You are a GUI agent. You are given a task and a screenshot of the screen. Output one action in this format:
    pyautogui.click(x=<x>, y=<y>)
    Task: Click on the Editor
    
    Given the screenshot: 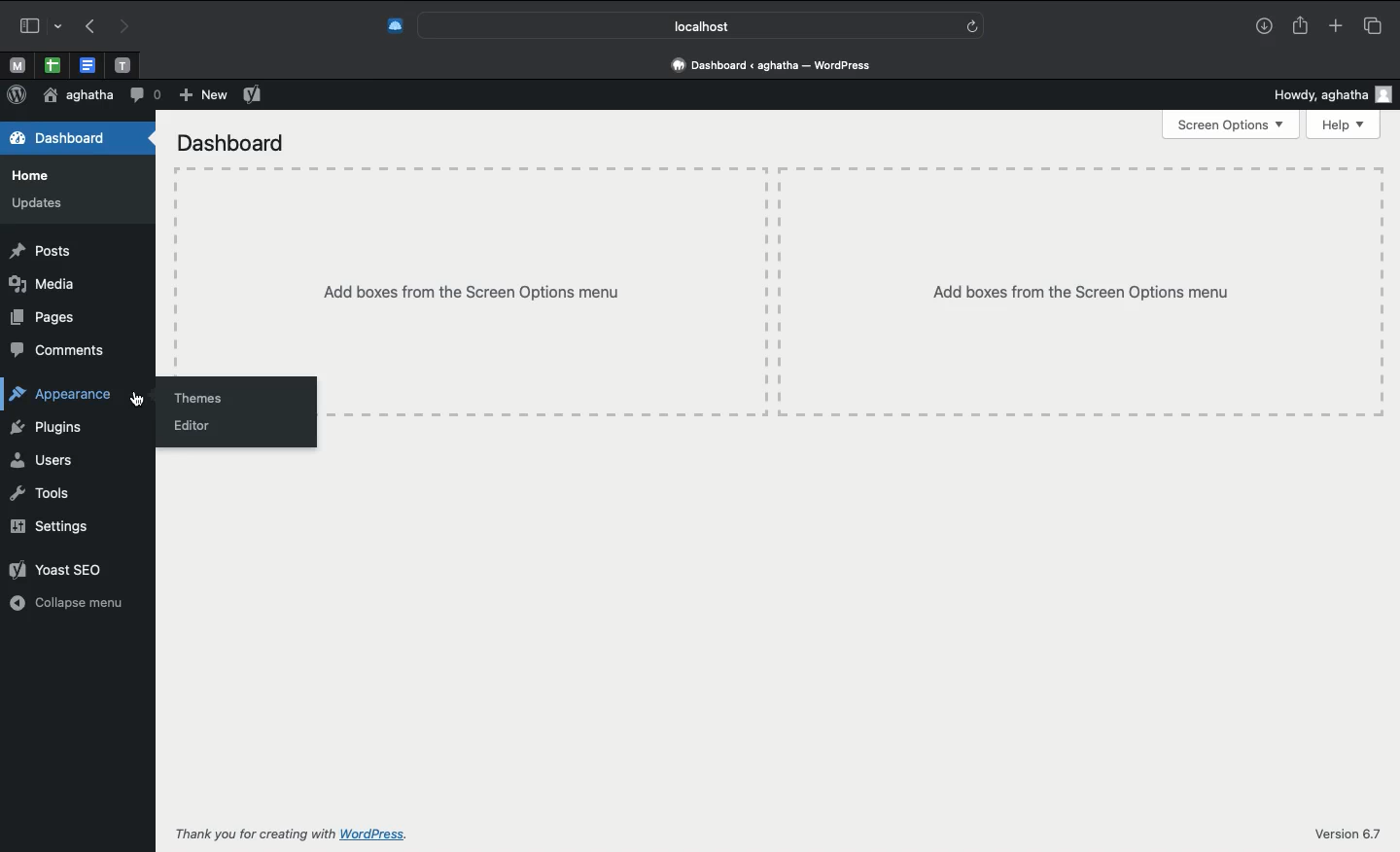 What is the action you would take?
    pyautogui.click(x=197, y=425)
    